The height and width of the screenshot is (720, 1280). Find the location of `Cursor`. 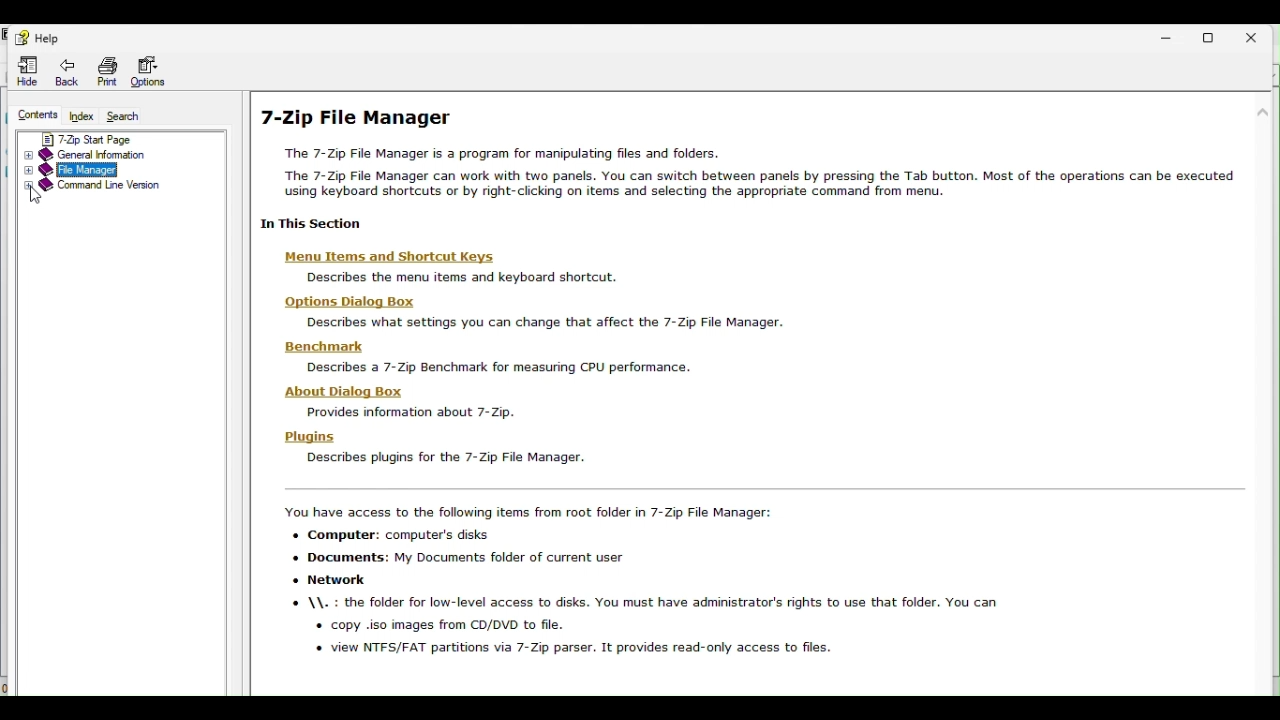

Cursor is located at coordinates (36, 197).